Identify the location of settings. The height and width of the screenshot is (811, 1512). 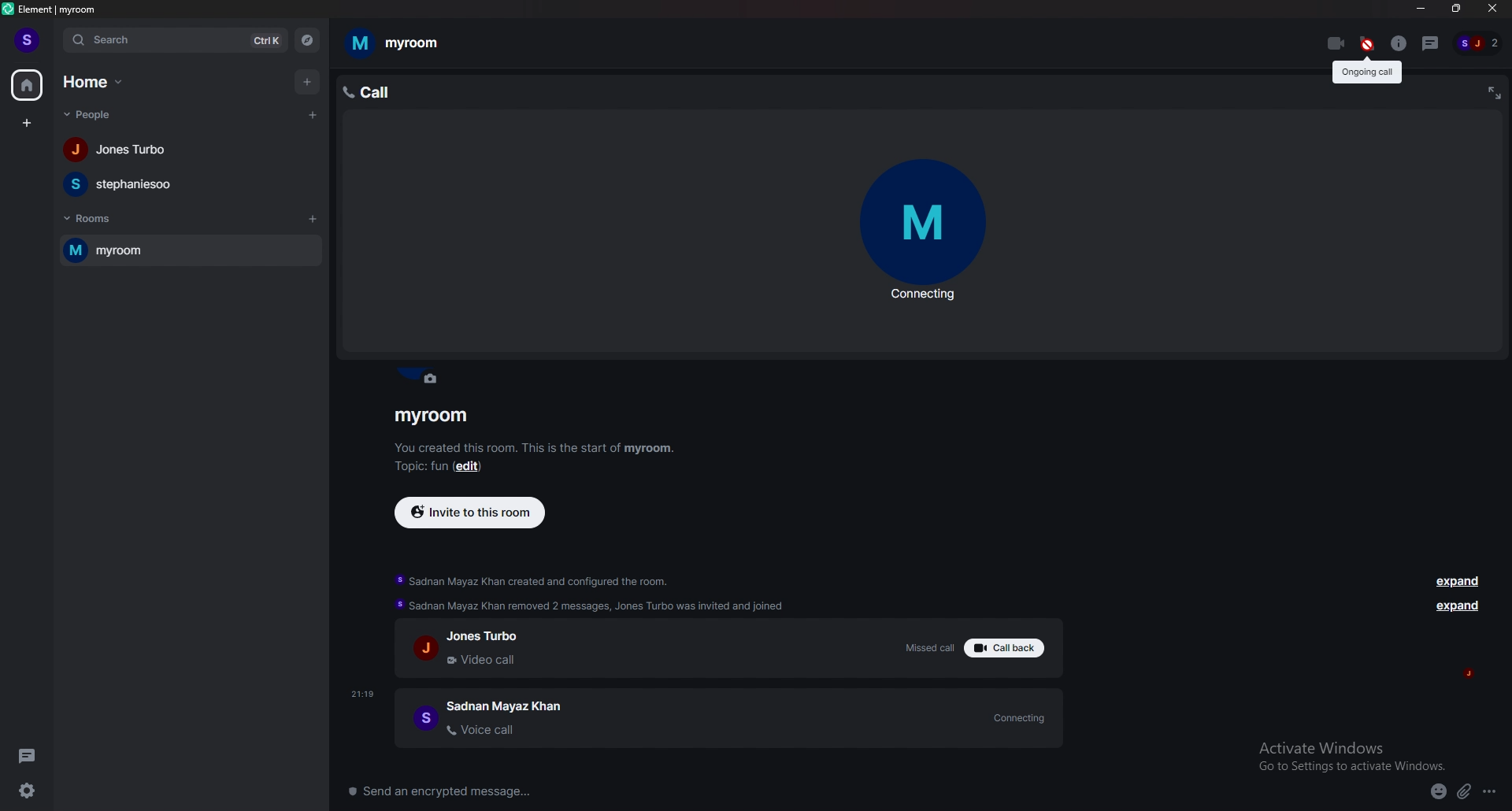
(31, 791).